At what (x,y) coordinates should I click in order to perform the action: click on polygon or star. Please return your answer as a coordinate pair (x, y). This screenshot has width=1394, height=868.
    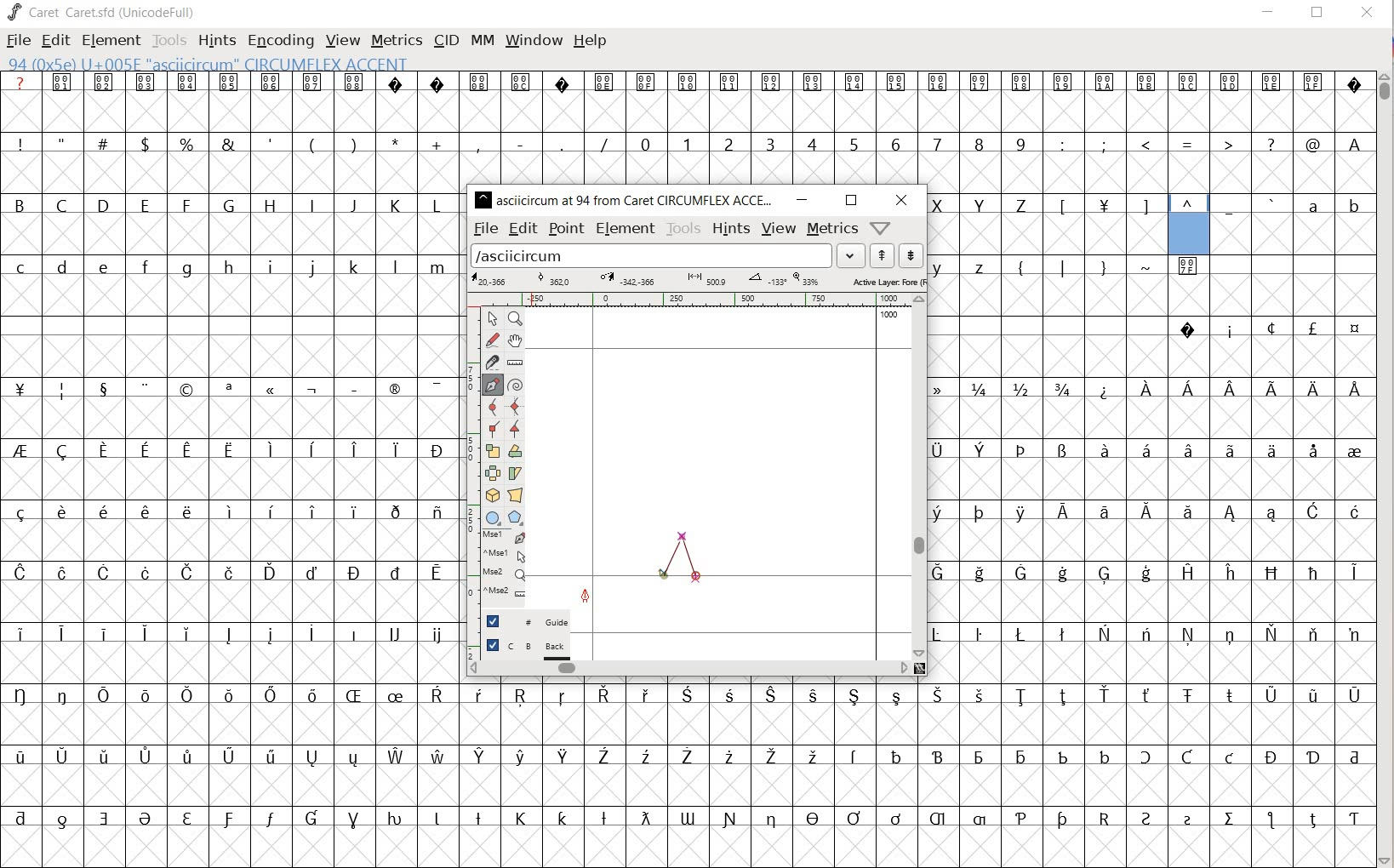
    Looking at the image, I should click on (515, 517).